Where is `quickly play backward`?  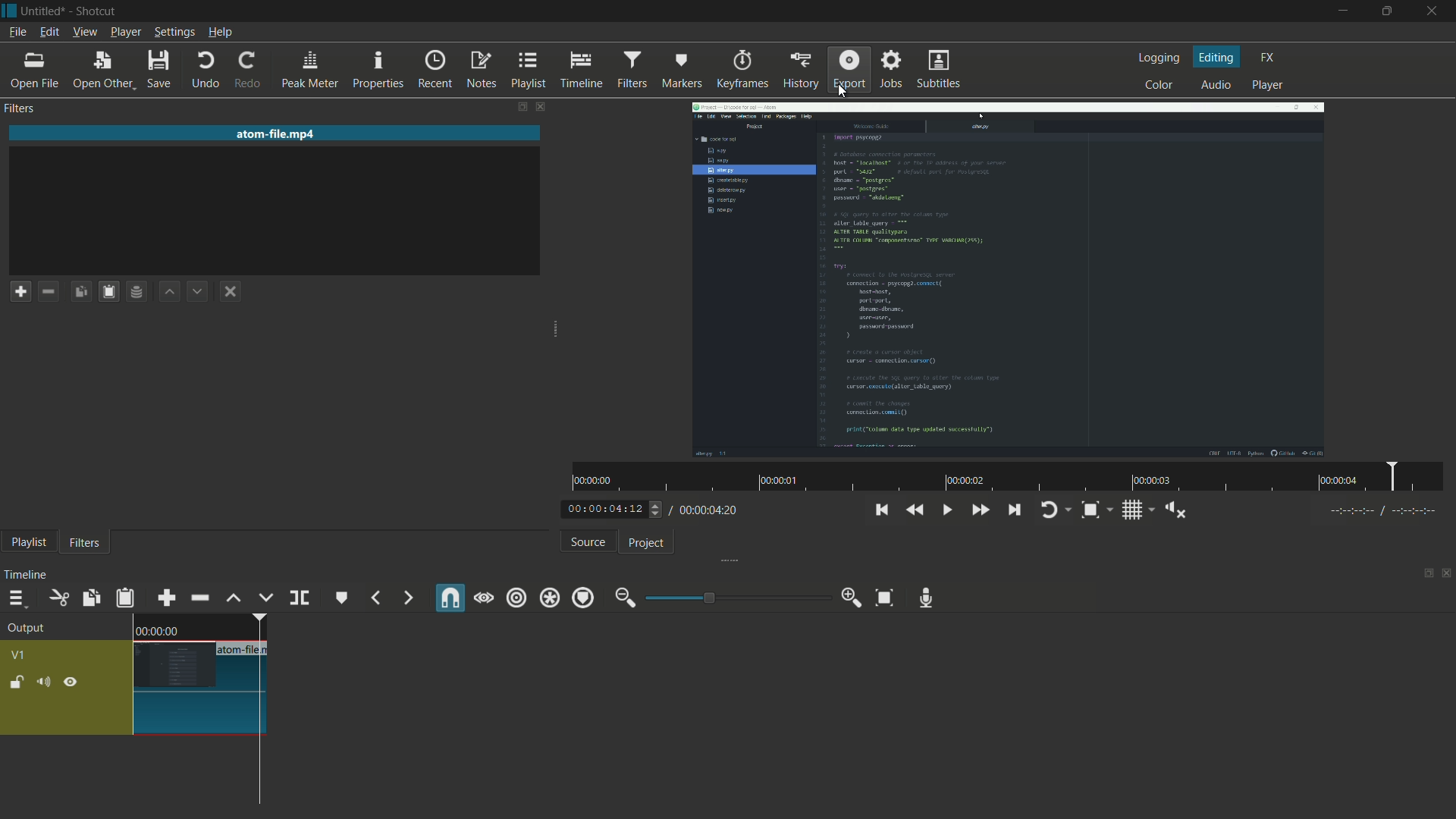
quickly play backward is located at coordinates (916, 508).